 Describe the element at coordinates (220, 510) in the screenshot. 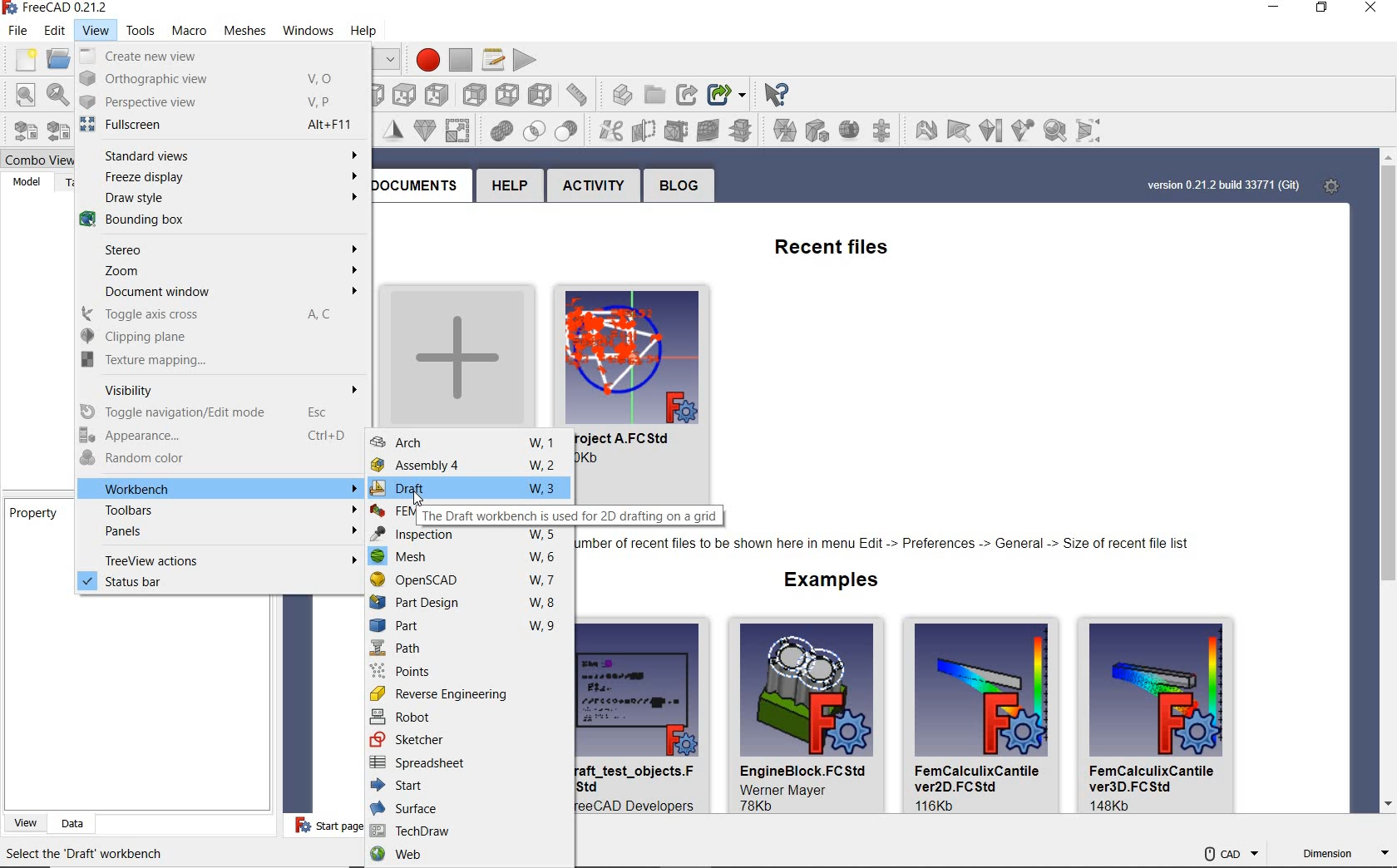

I see `toolbars` at that location.